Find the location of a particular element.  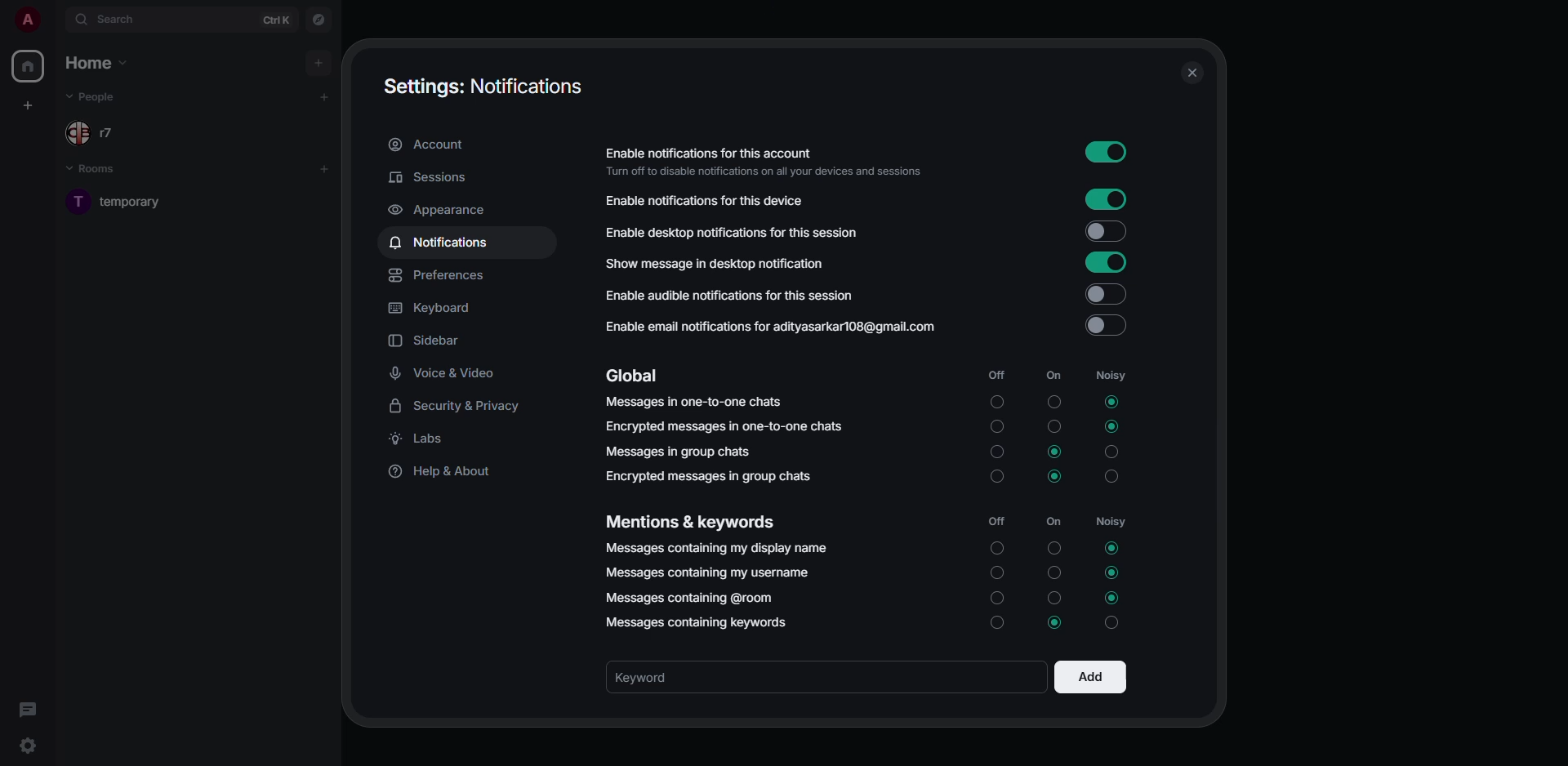

turn off is located at coordinates (1057, 597).